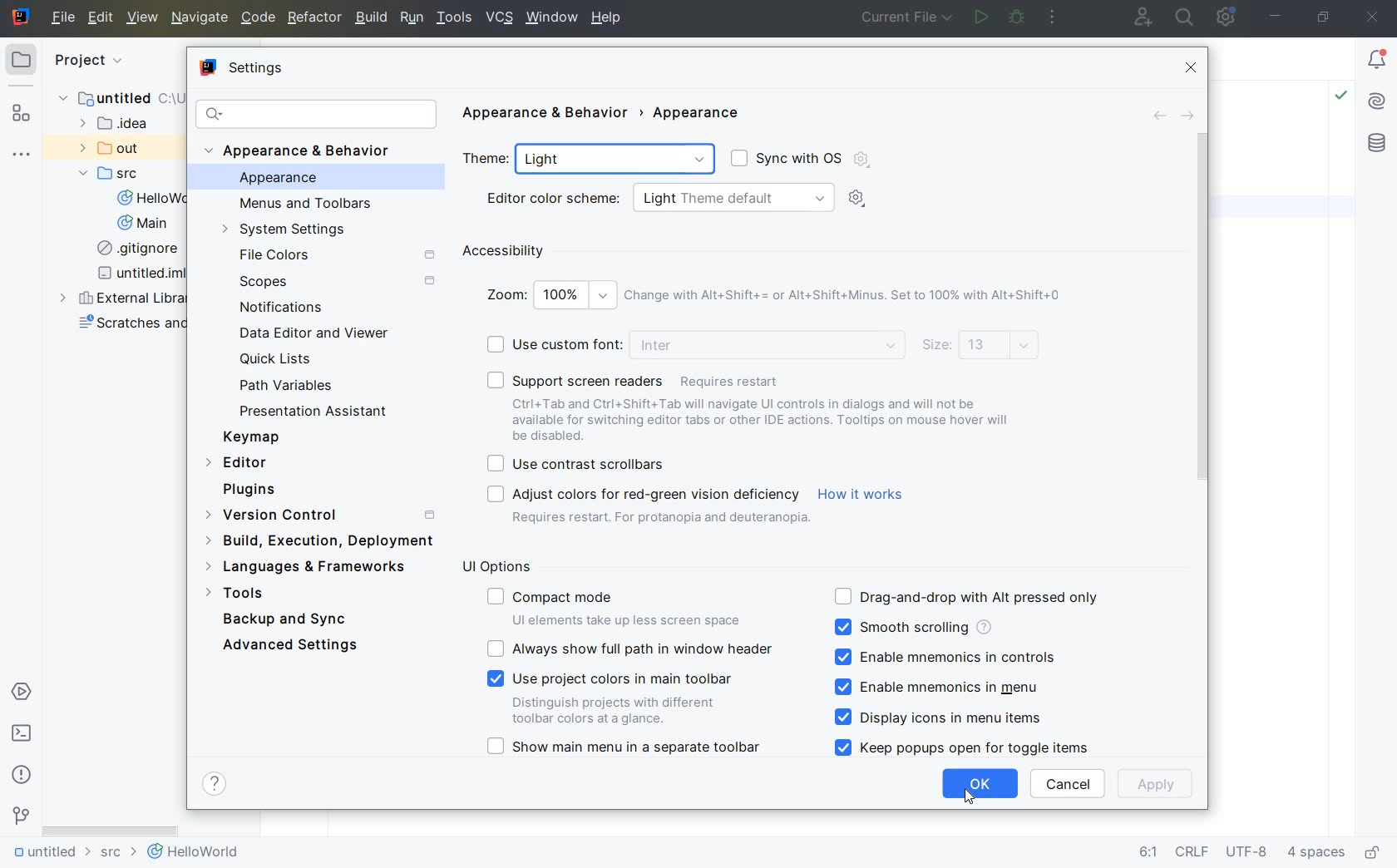  What do you see at coordinates (454, 18) in the screenshot?
I see `TOOLS` at bounding box center [454, 18].